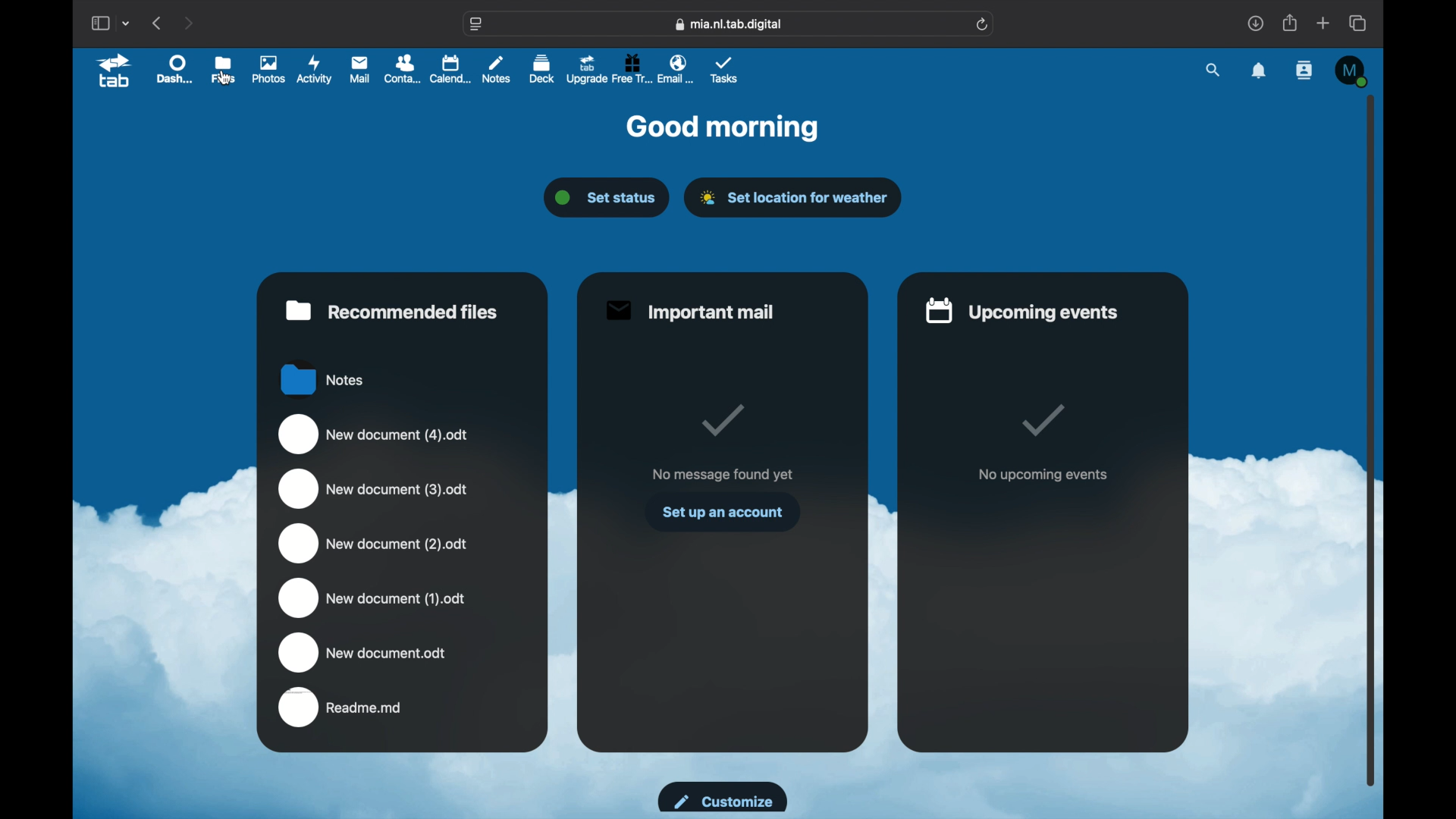 The width and height of the screenshot is (1456, 819). I want to click on recommended files, so click(392, 311).